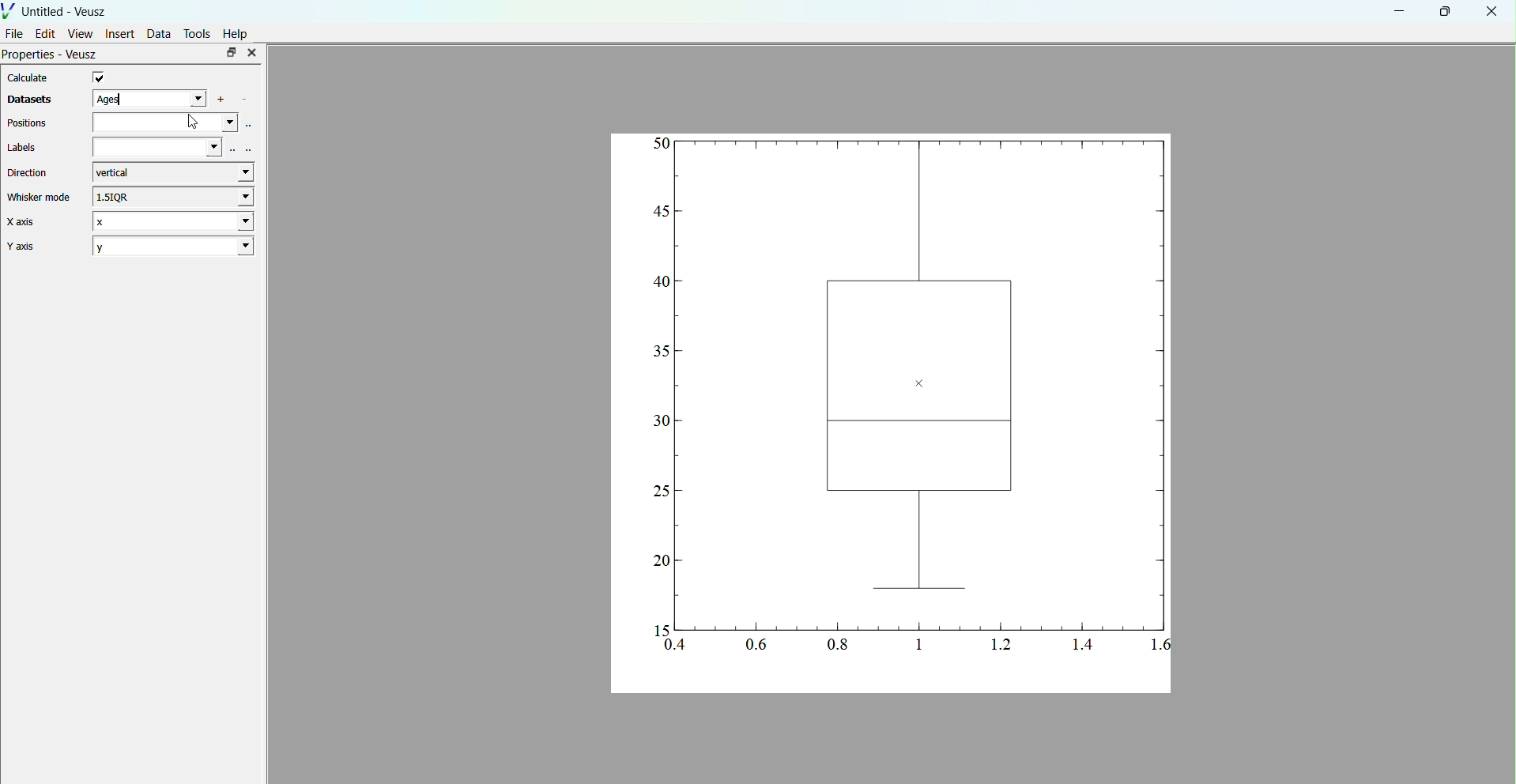 This screenshot has width=1516, height=784. I want to click on maximise, so click(1442, 11).